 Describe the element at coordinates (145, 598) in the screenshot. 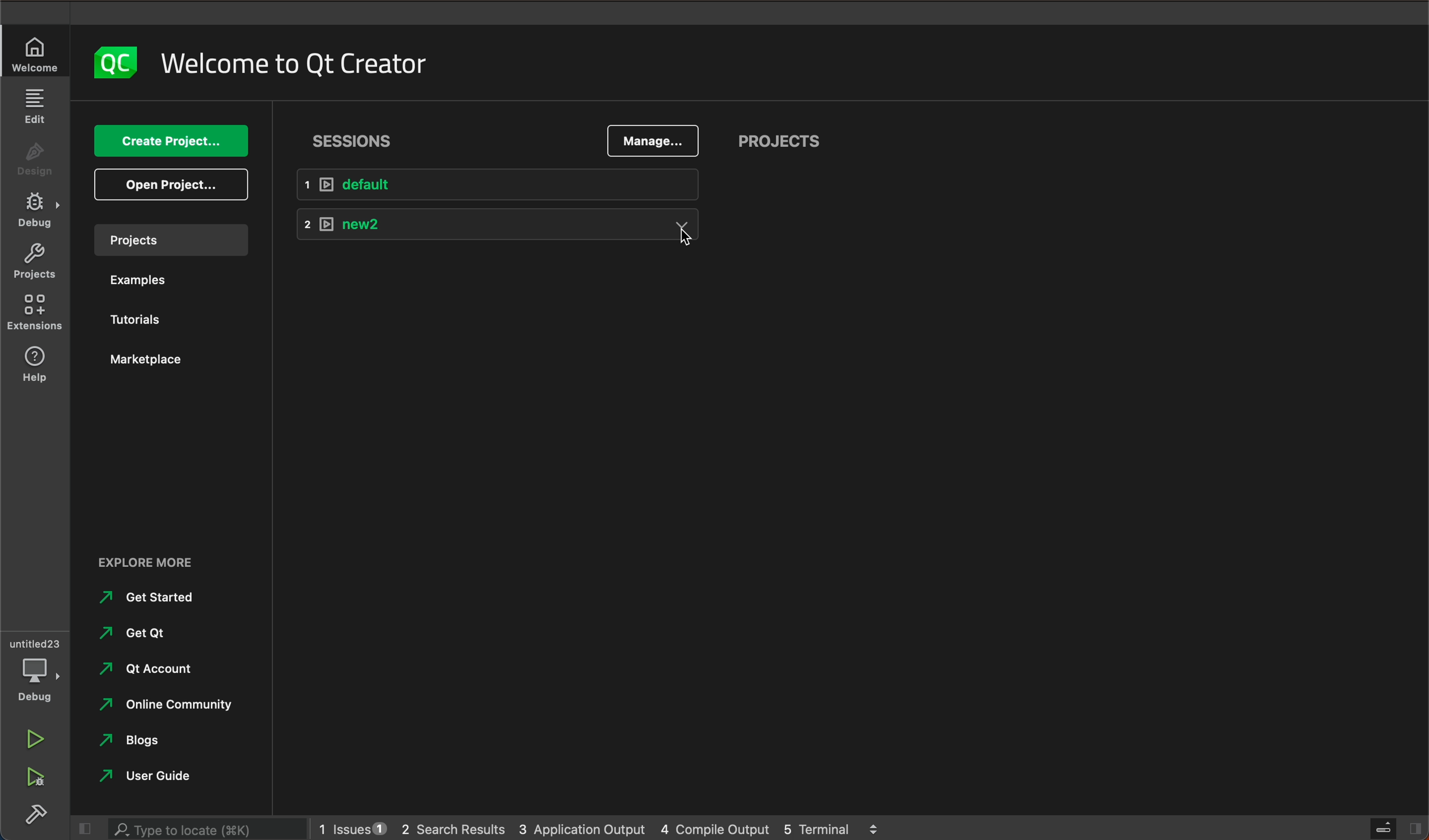

I see `get started` at that location.